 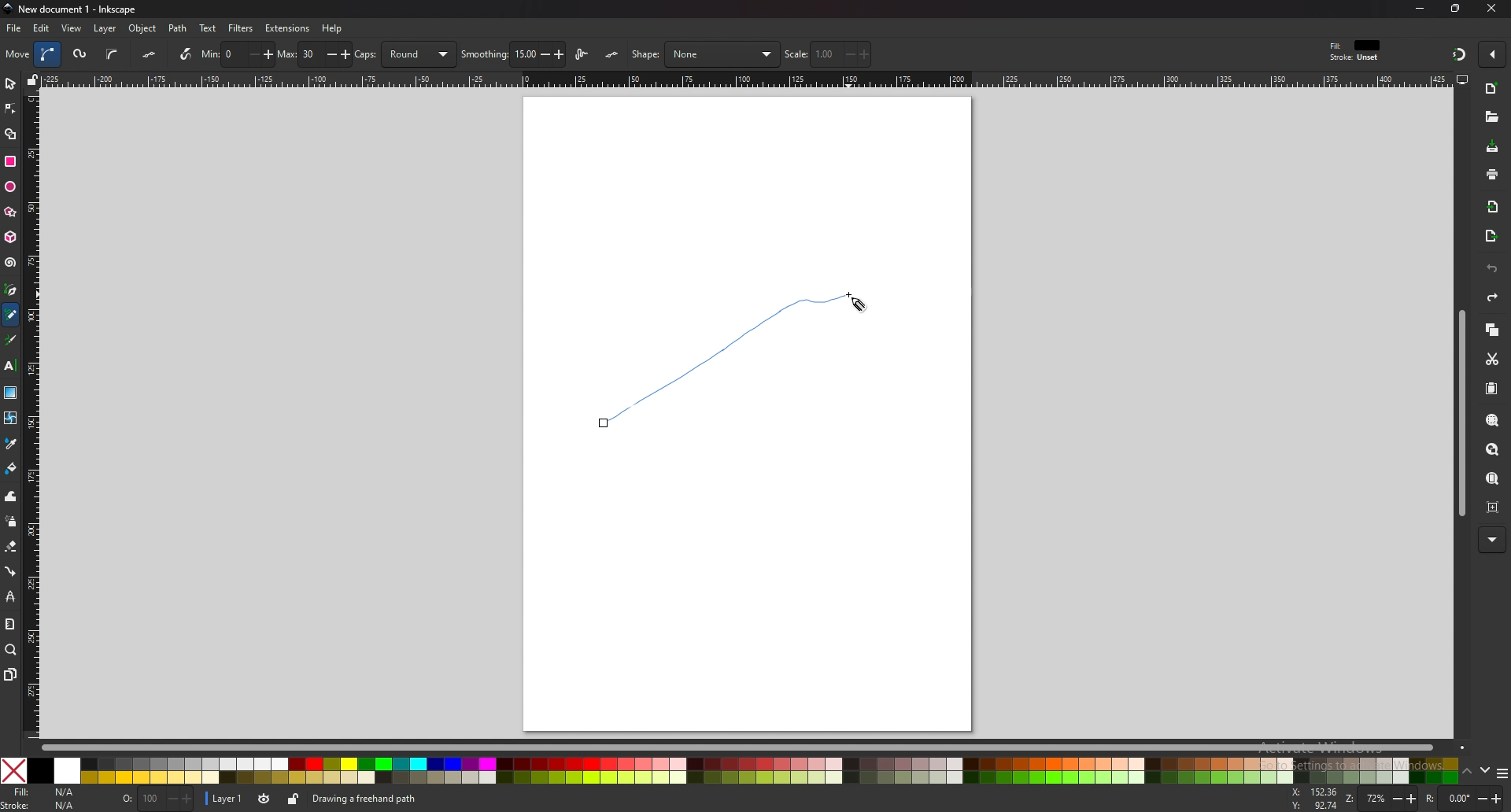 I want to click on spiral, so click(x=10, y=262).